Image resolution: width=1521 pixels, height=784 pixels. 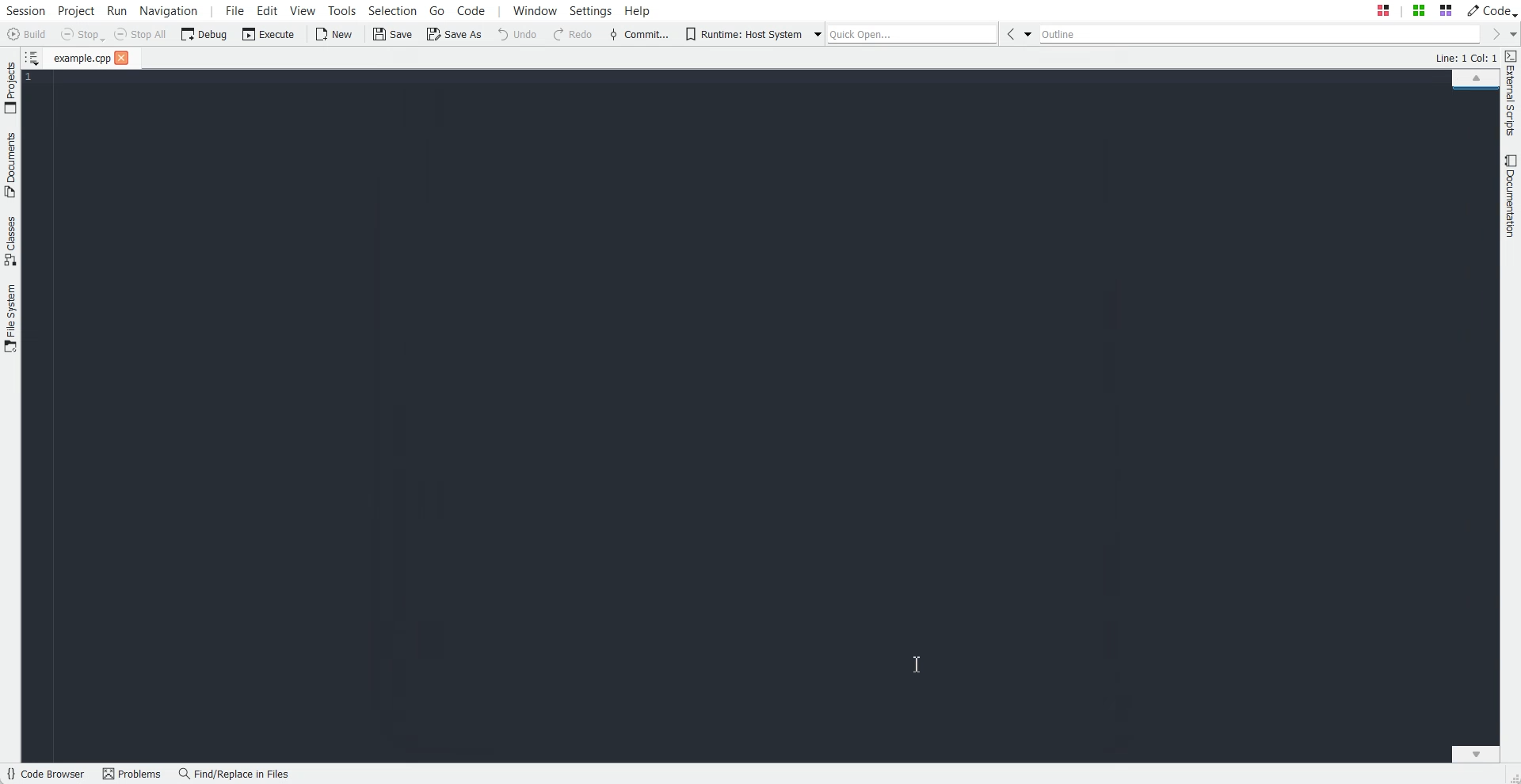 What do you see at coordinates (918, 664) in the screenshot?
I see `Text cursor` at bounding box center [918, 664].